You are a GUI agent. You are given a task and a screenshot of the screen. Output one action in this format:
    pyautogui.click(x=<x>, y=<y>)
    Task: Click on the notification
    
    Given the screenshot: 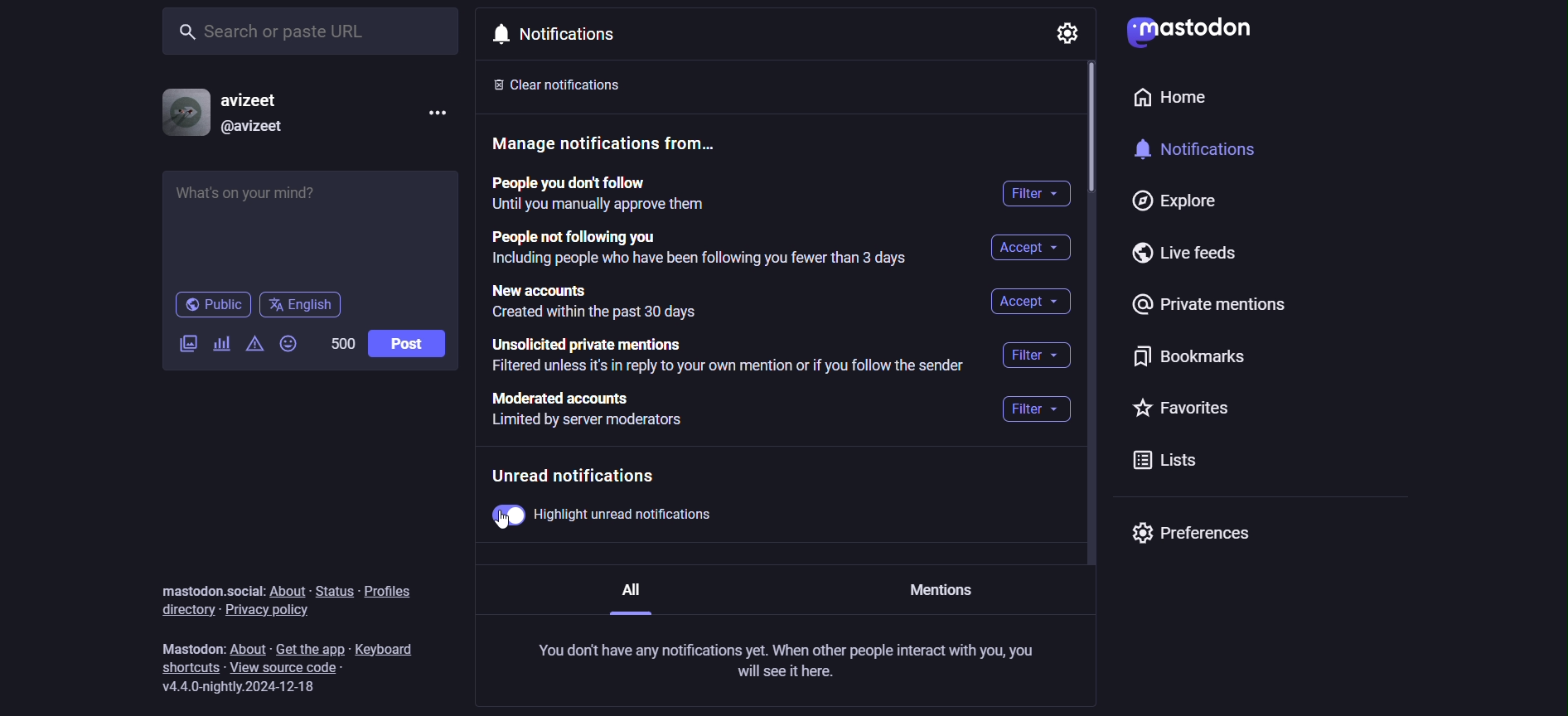 What is the action you would take?
    pyautogui.click(x=561, y=34)
    